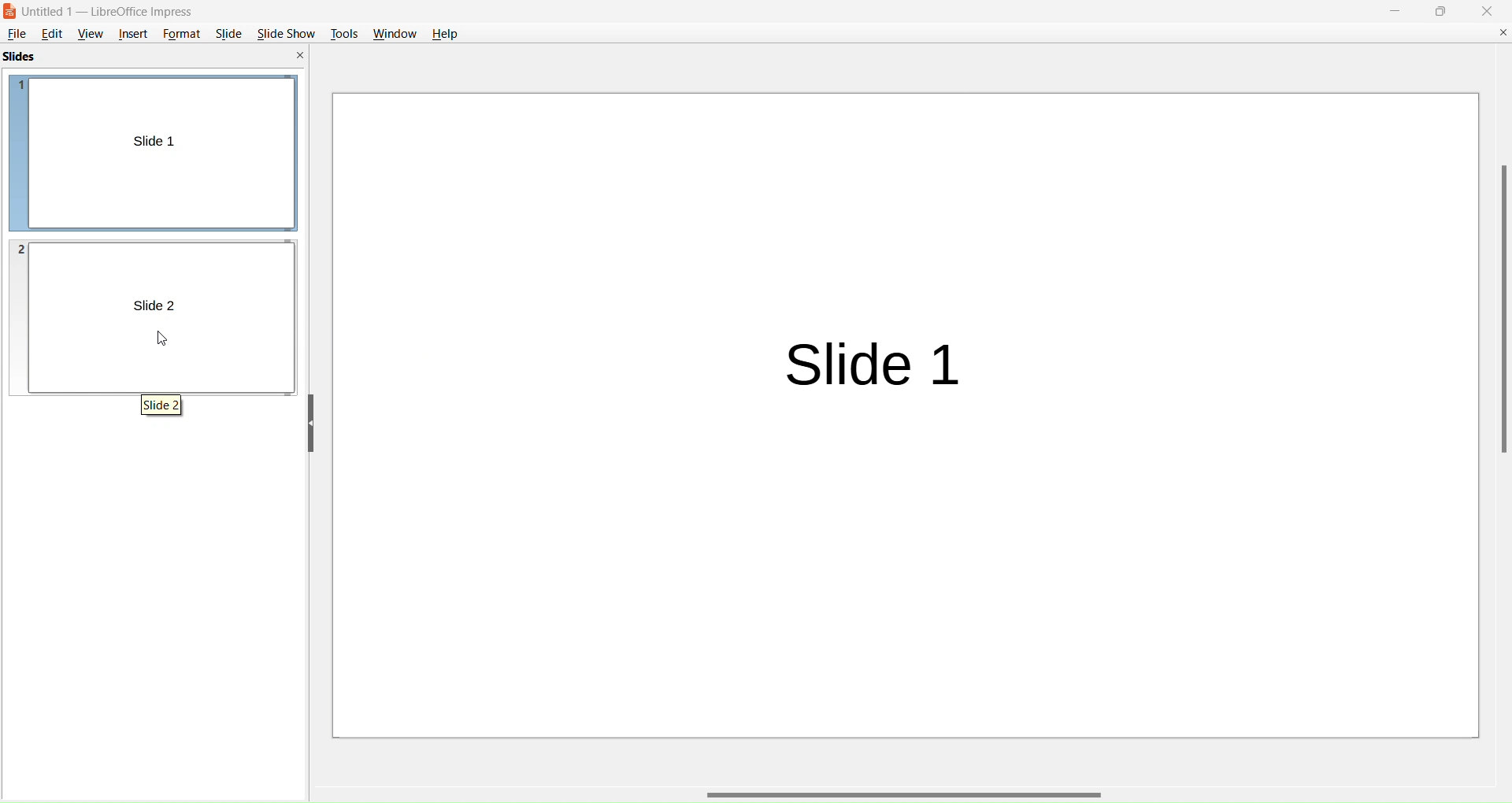 The width and height of the screenshot is (1512, 803). Describe the element at coordinates (882, 360) in the screenshot. I see `Slide 1` at that location.